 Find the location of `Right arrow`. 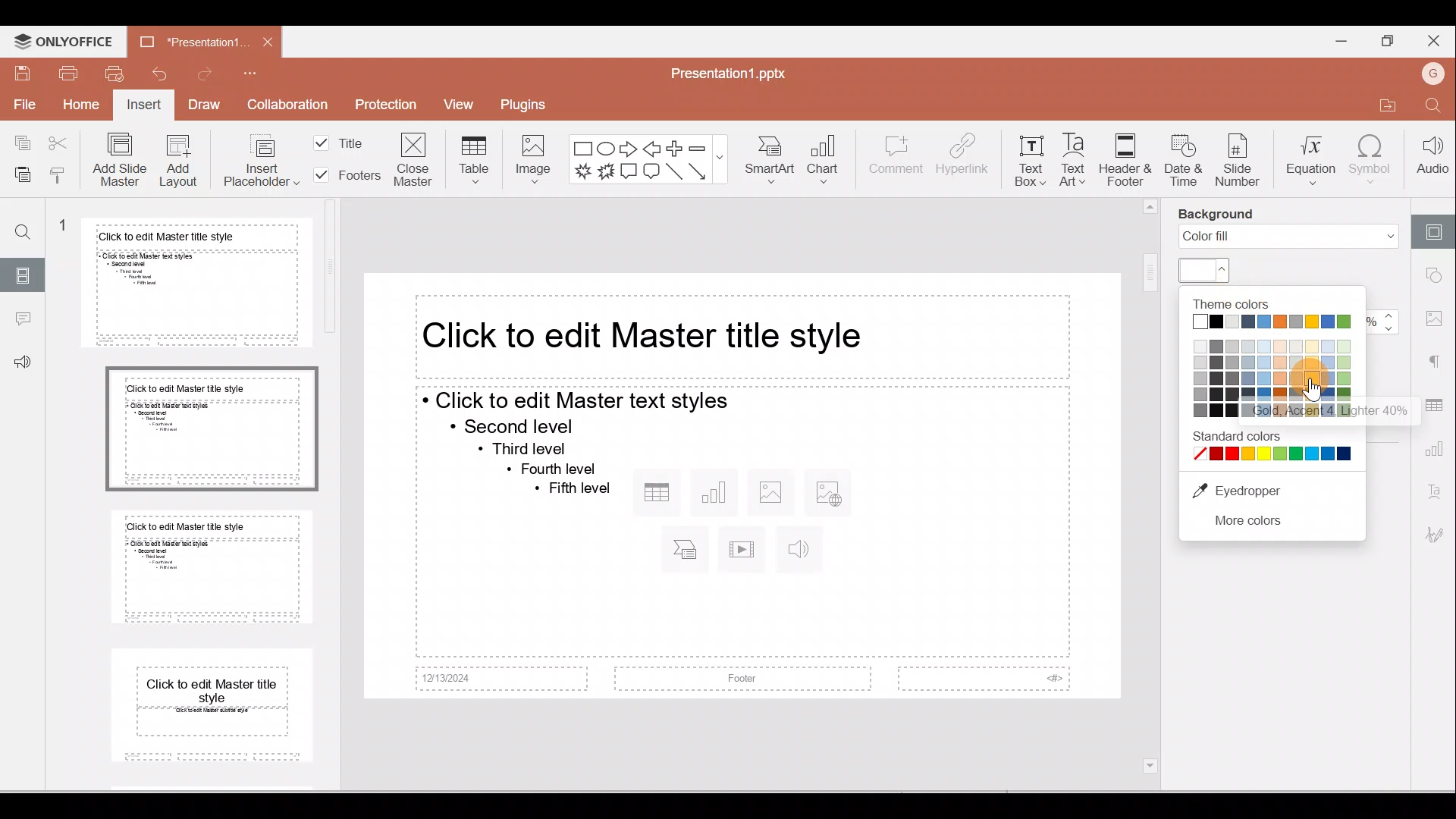

Right arrow is located at coordinates (629, 148).